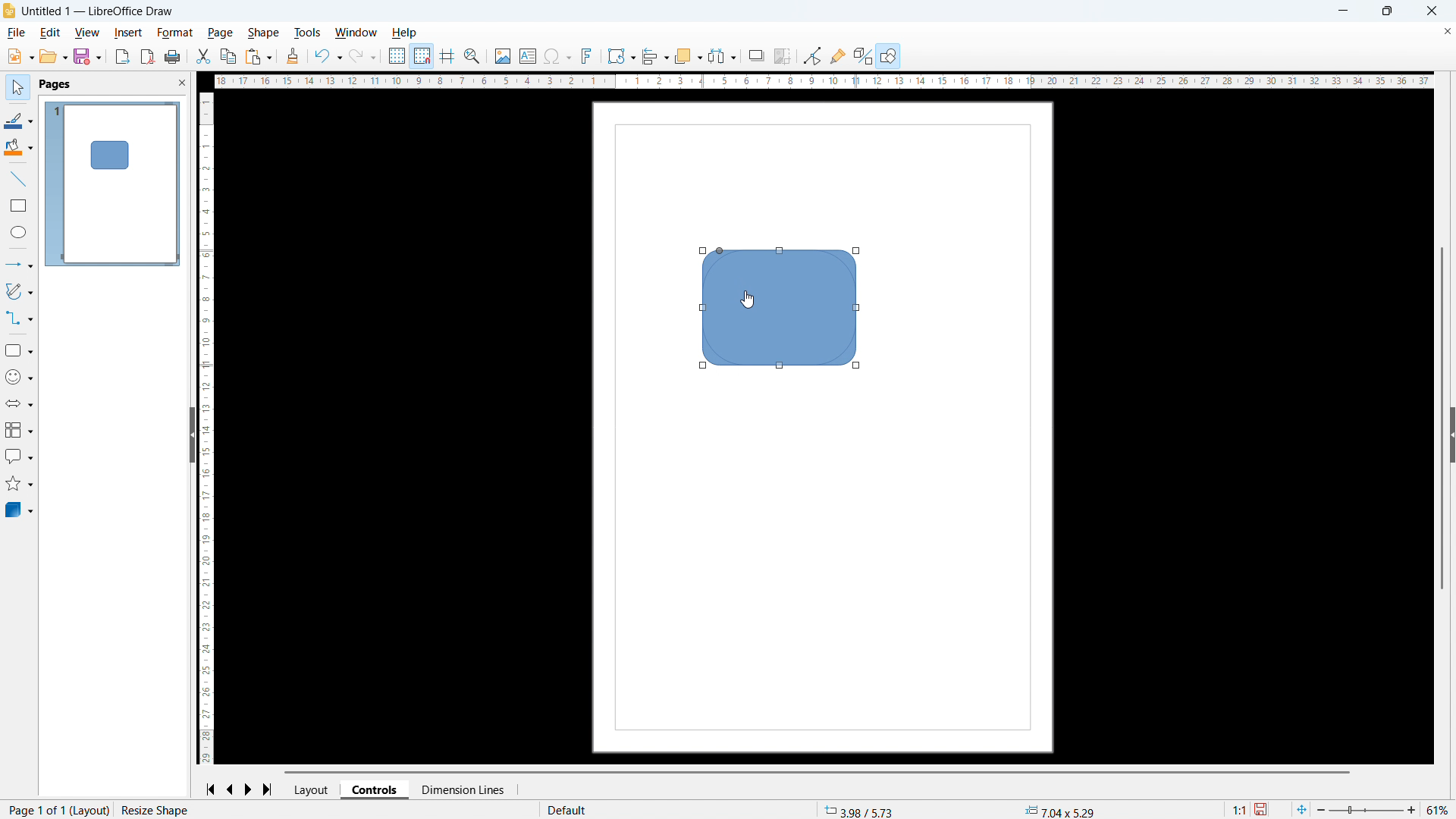 The image size is (1456, 819). I want to click on Window , so click(356, 32).